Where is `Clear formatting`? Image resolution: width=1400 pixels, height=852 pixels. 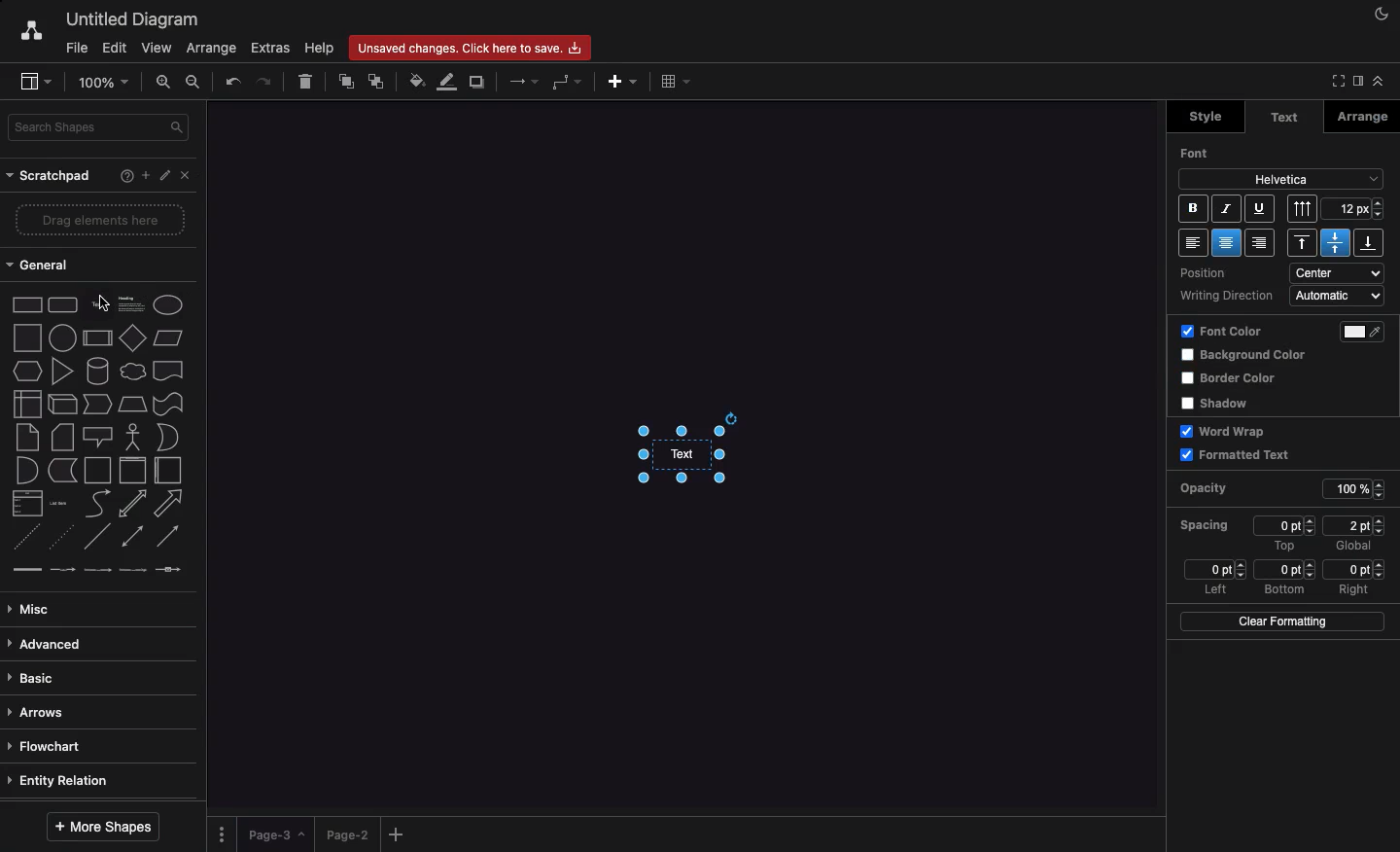
Clear formatting is located at coordinates (1280, 621).